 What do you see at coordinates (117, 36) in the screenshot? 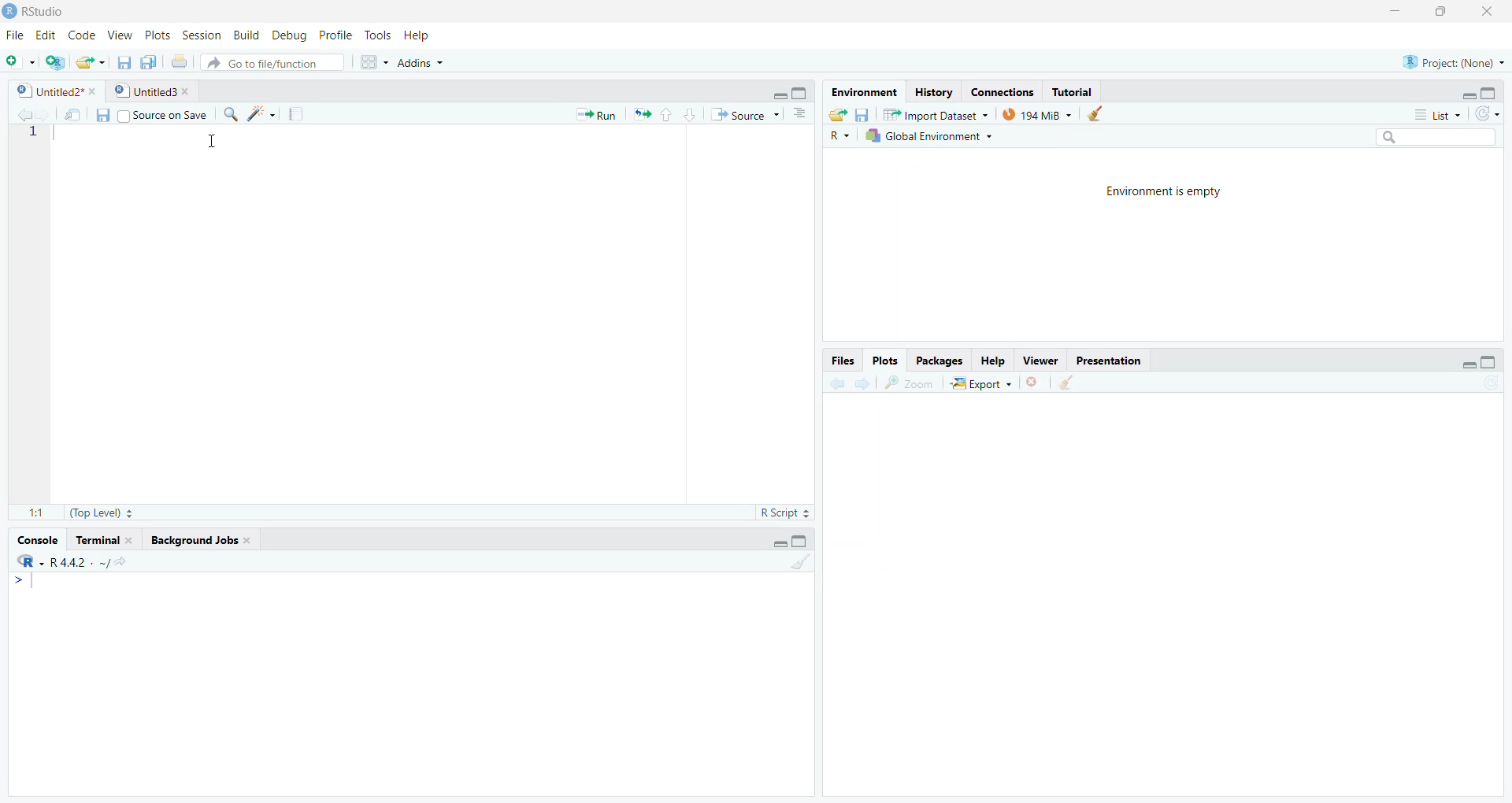
I see `View` at bounding box center [117, 36].